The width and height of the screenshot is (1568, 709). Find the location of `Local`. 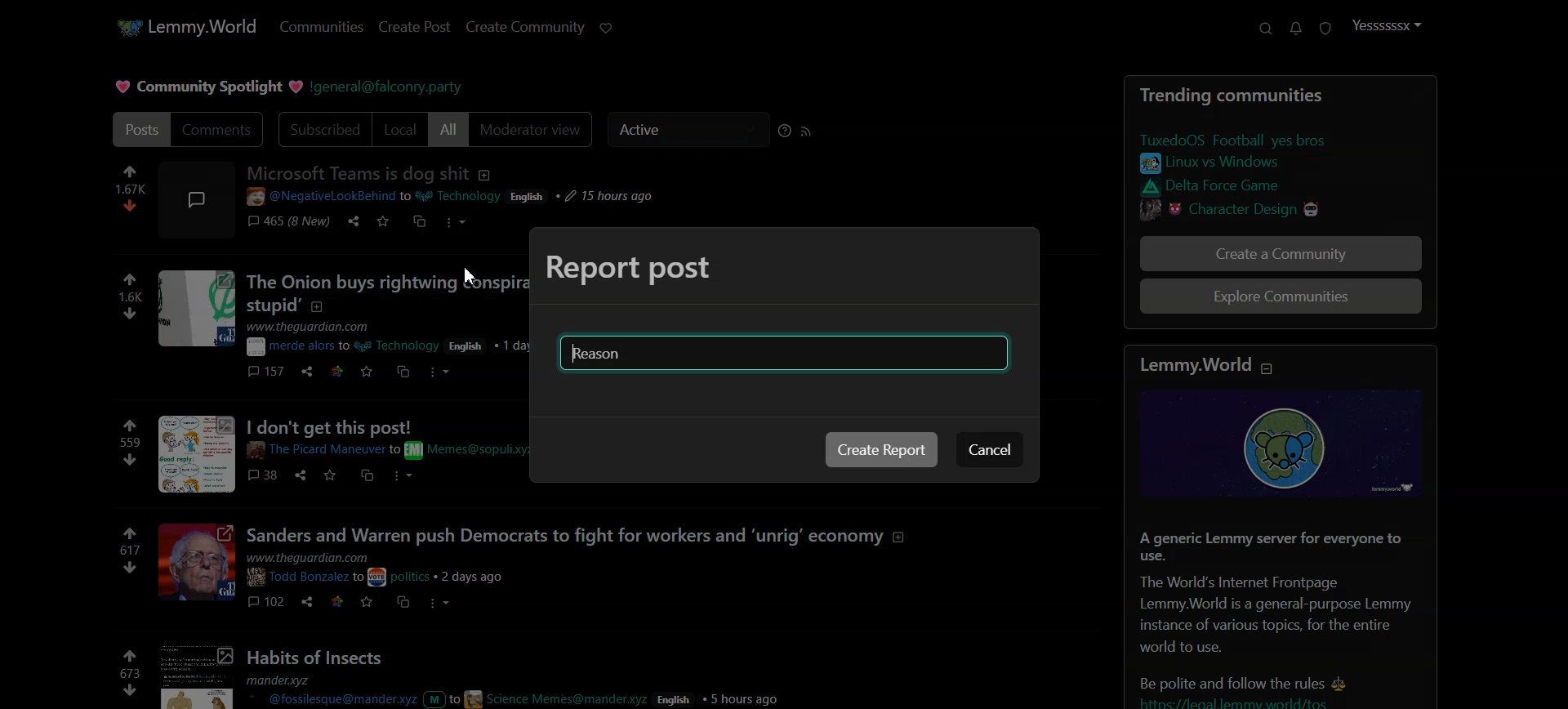

Local is located at coordinates (400, 130).